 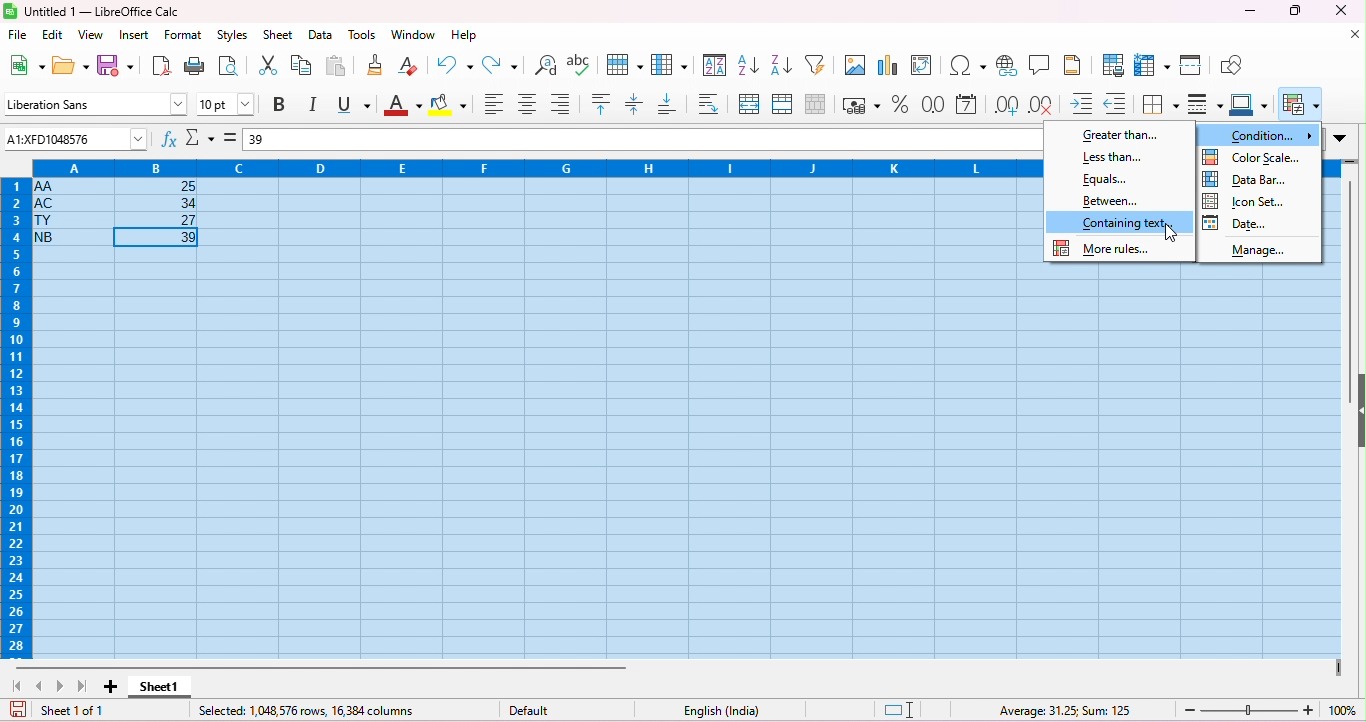 I want to click on styles, so click(x=236, y=37).